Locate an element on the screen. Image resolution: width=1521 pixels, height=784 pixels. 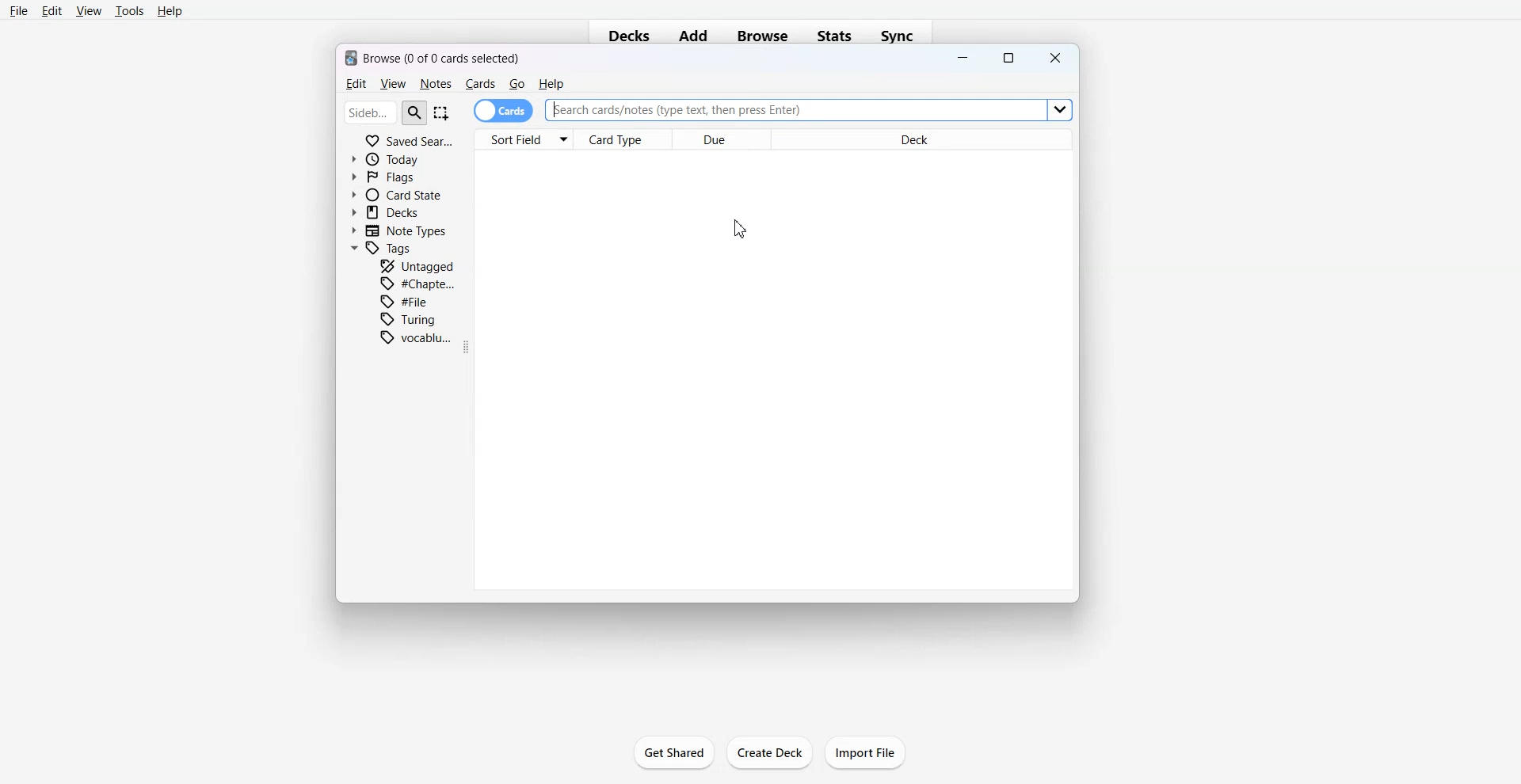
Import File is located at coordinates (867, 752).